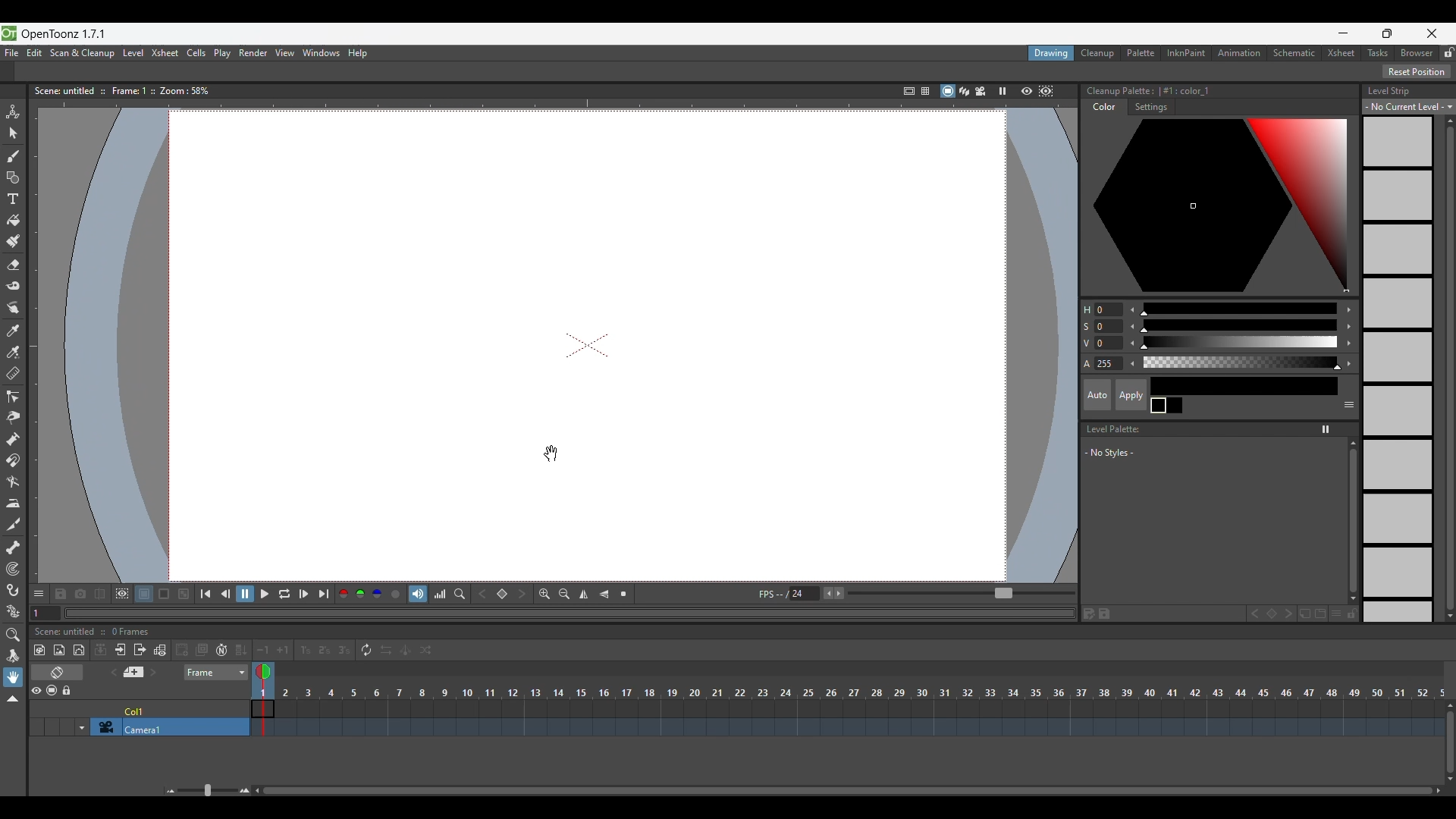 This screenshot has width=1456, height=819. What do you see at coordinates (160, 650) in the screenshot?
I see `Toggle edit in place` at bounding box center [160, 650].